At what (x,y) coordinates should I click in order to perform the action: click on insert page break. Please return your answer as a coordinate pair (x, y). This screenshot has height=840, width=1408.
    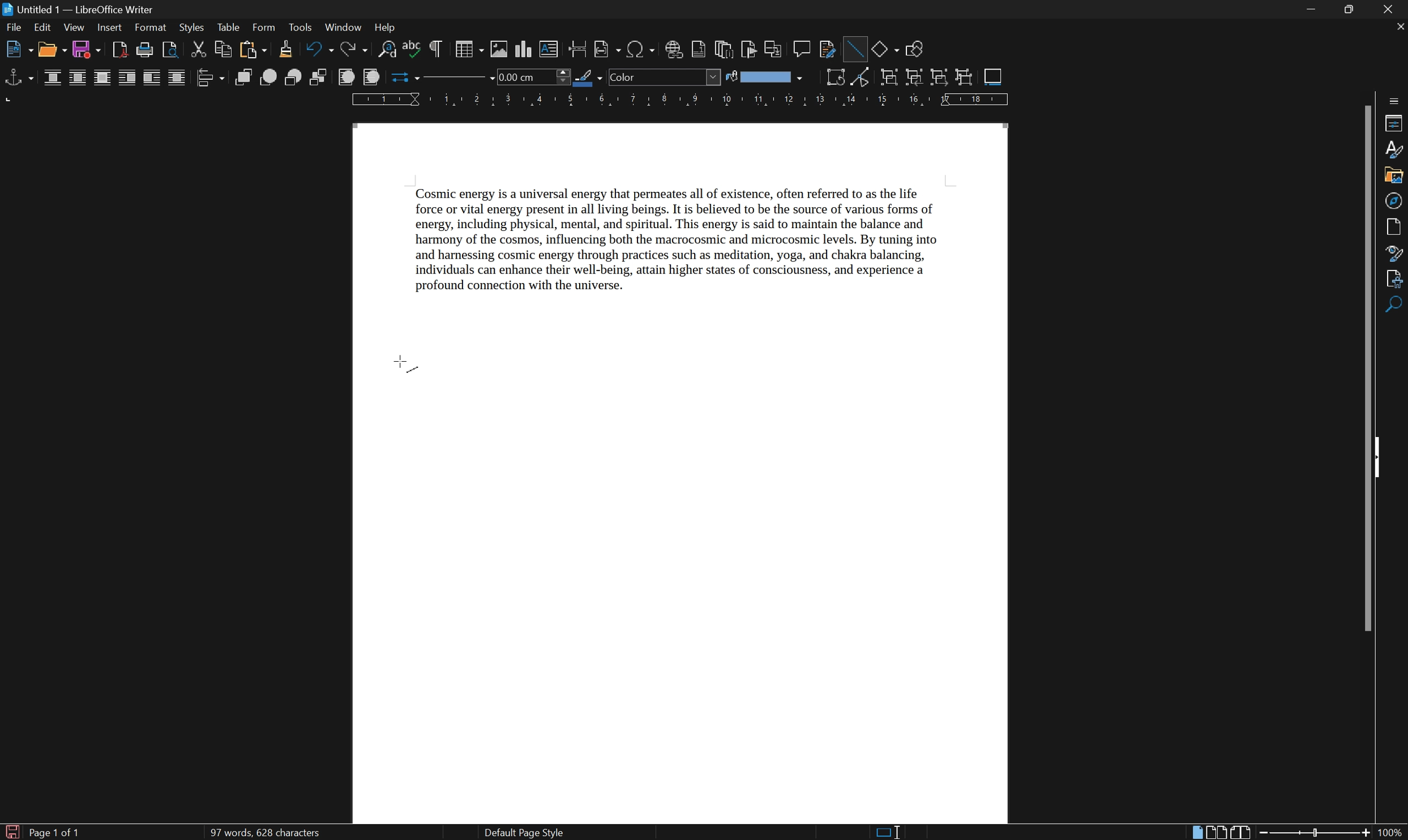
    Looking at the image, I should click on (576, 48).